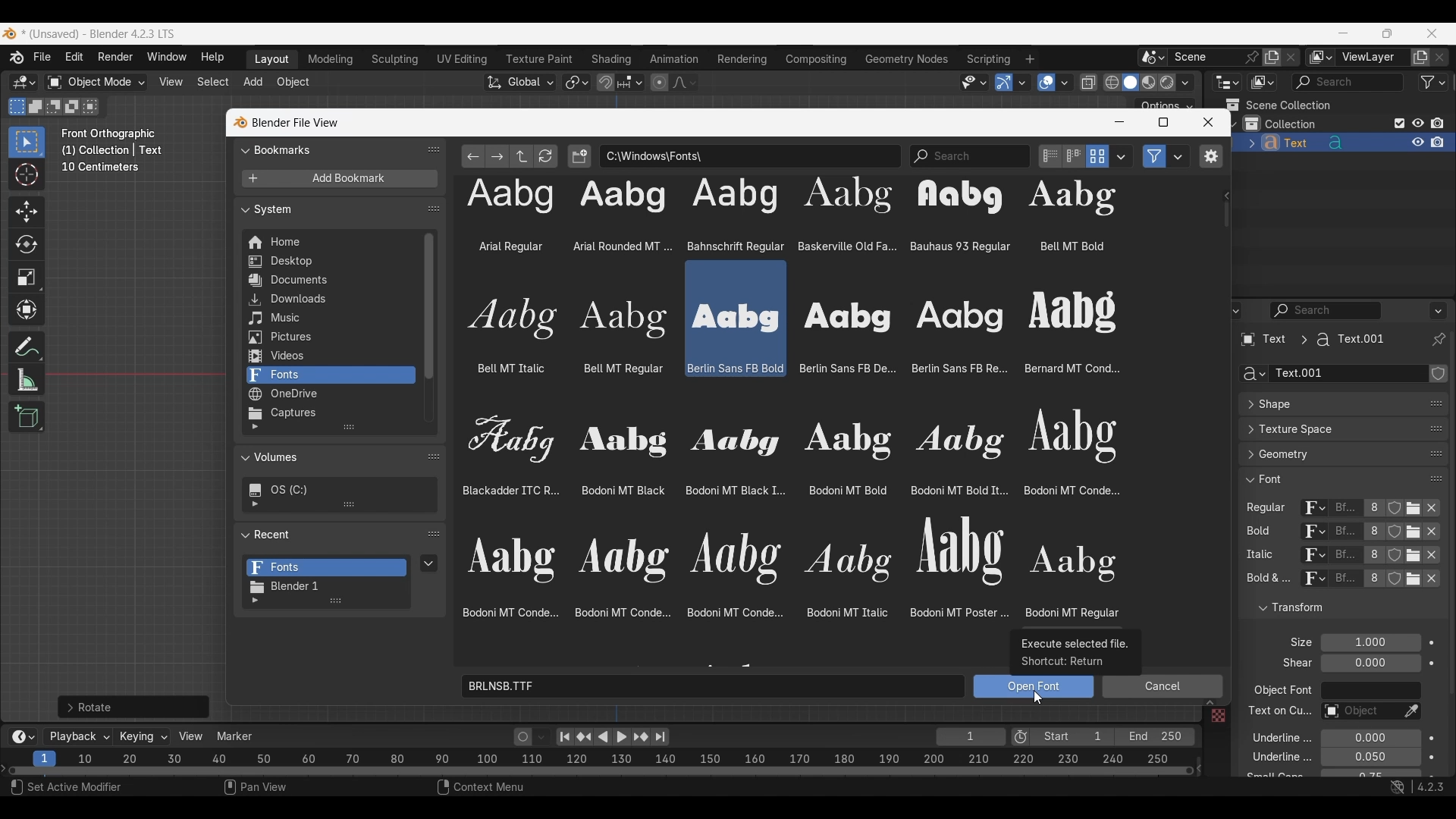 Image resolution: width=1456 pixels, height=819 pixels. Describe the element at coordinates (1029, 59) in the screenshot. I see `Add workspace` at that location.